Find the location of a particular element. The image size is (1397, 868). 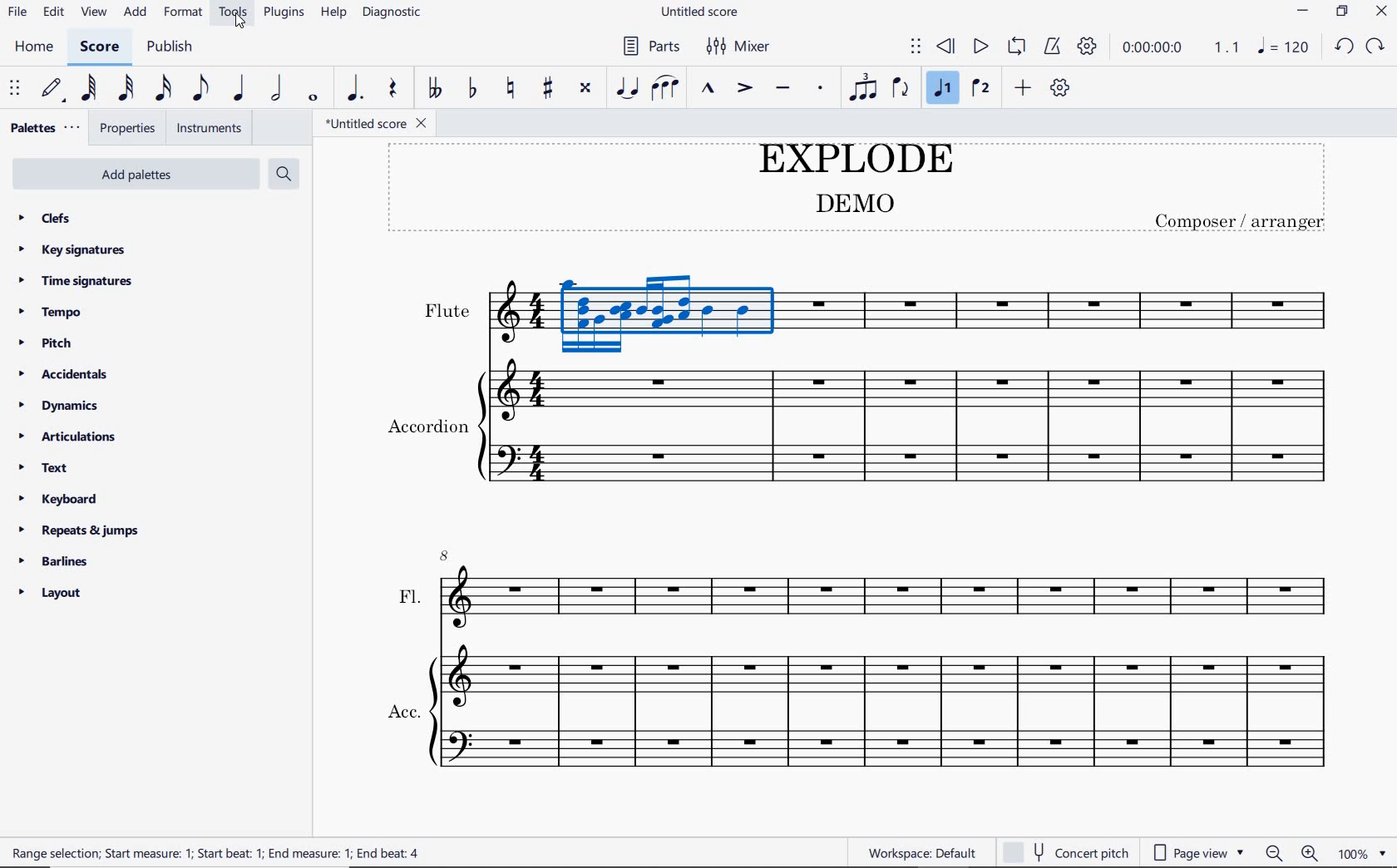

palettes is located at coordinates (42, 126).